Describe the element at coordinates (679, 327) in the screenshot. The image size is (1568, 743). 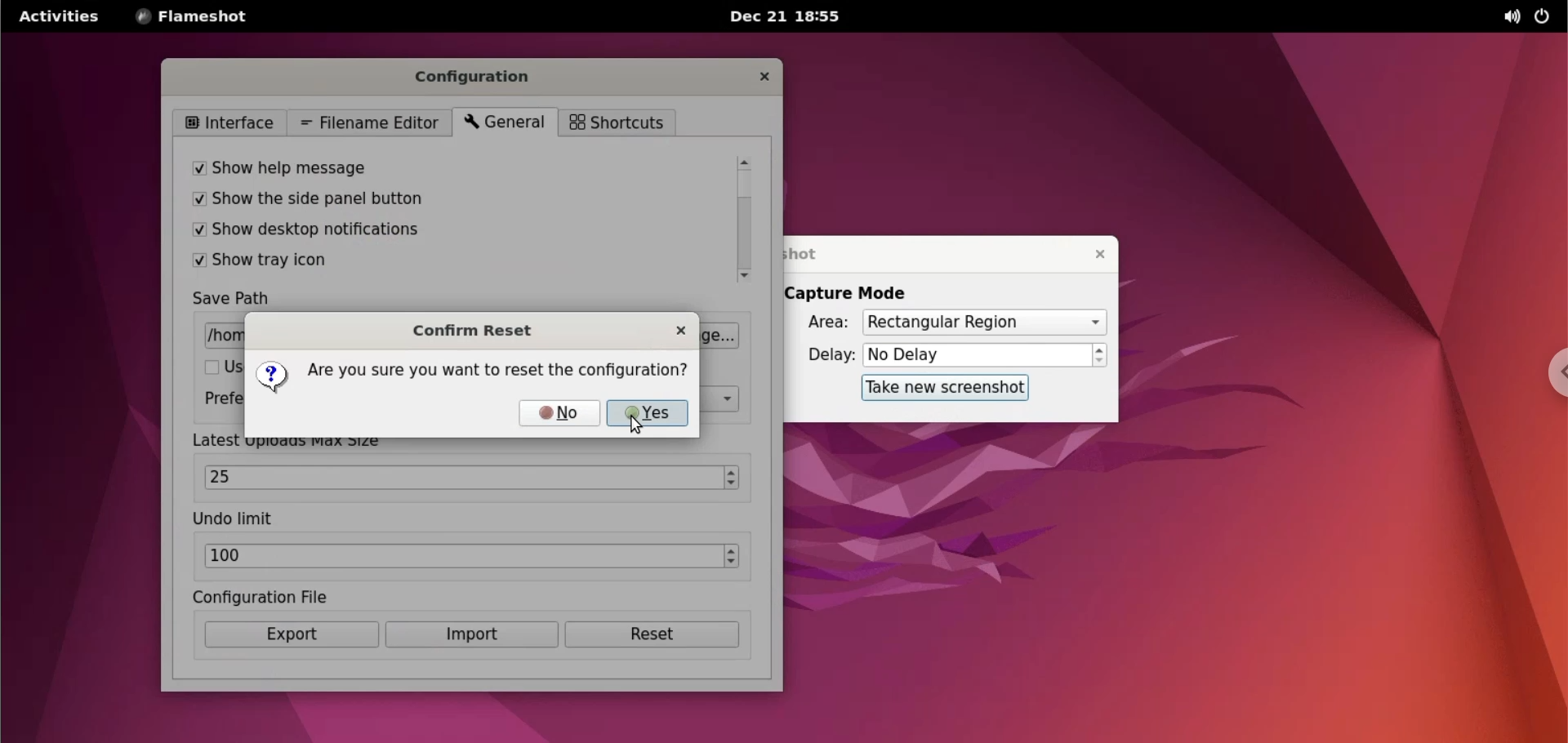
I see `close reset ` at that location.